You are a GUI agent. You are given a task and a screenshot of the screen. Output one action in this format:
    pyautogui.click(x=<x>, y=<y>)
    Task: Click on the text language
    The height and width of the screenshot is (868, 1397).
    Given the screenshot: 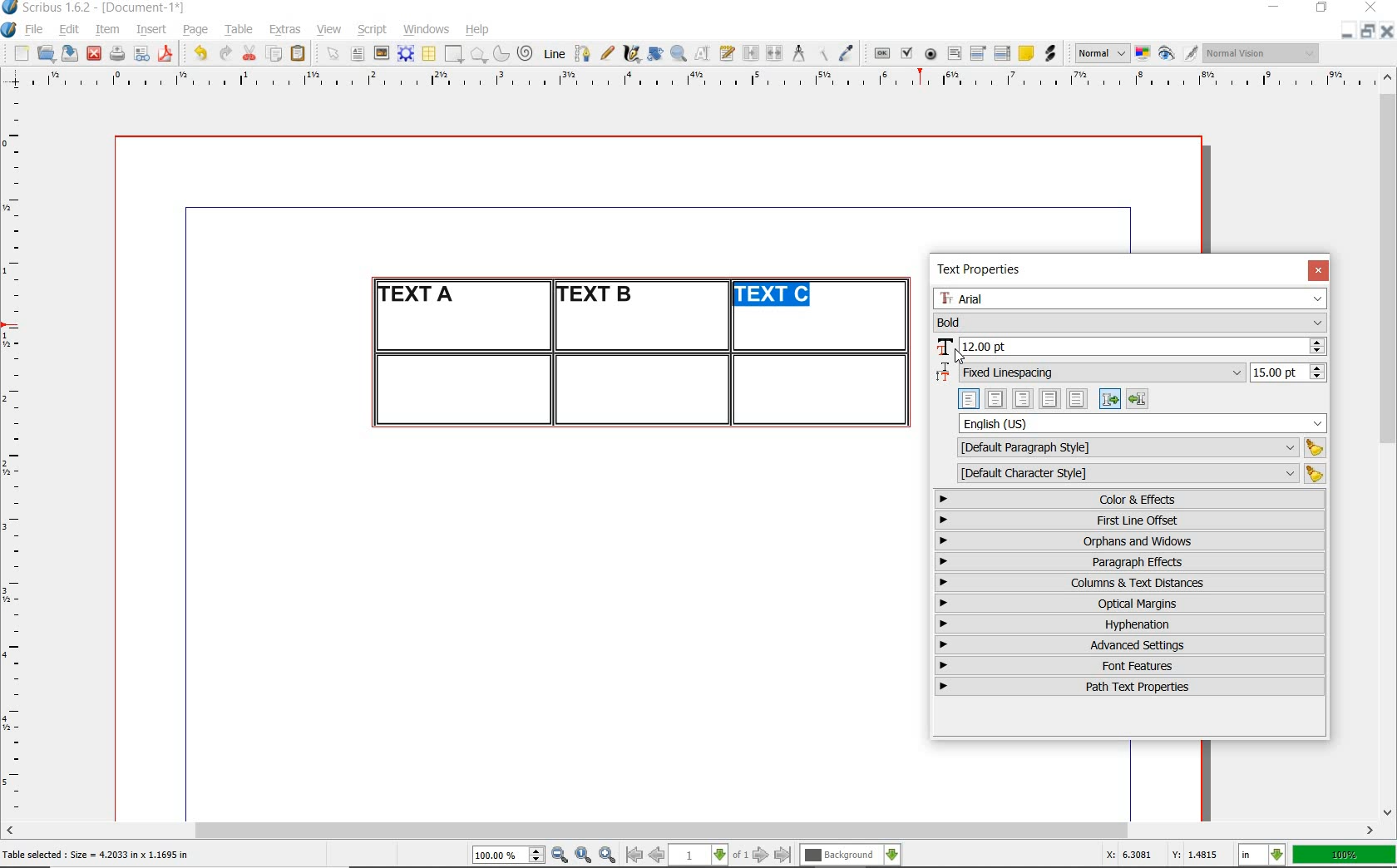 What is the action you would take?
    pyautogui.click(x=1143, y=423)
    